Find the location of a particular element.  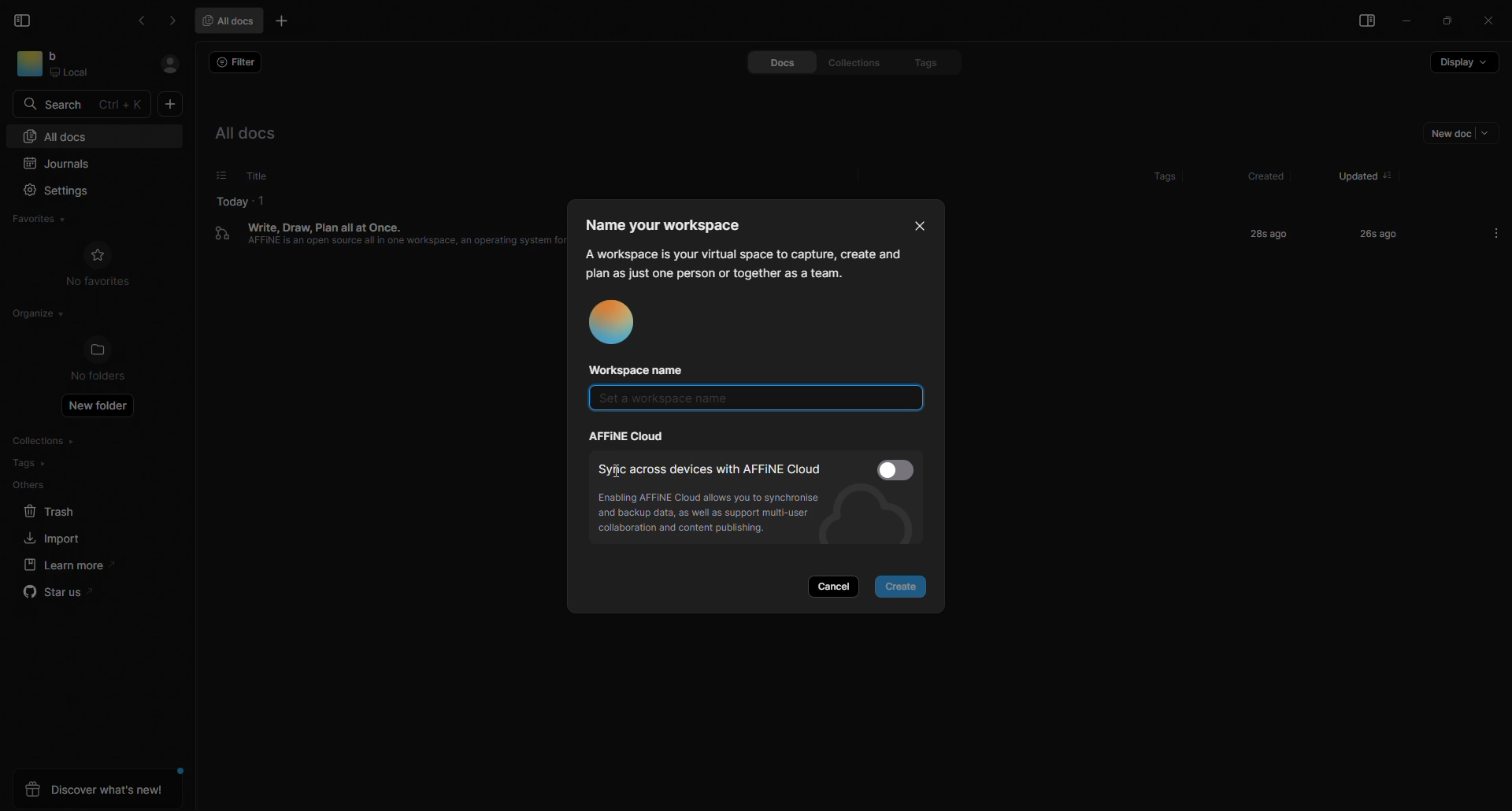

go forward is located at coordinates (172, 20).